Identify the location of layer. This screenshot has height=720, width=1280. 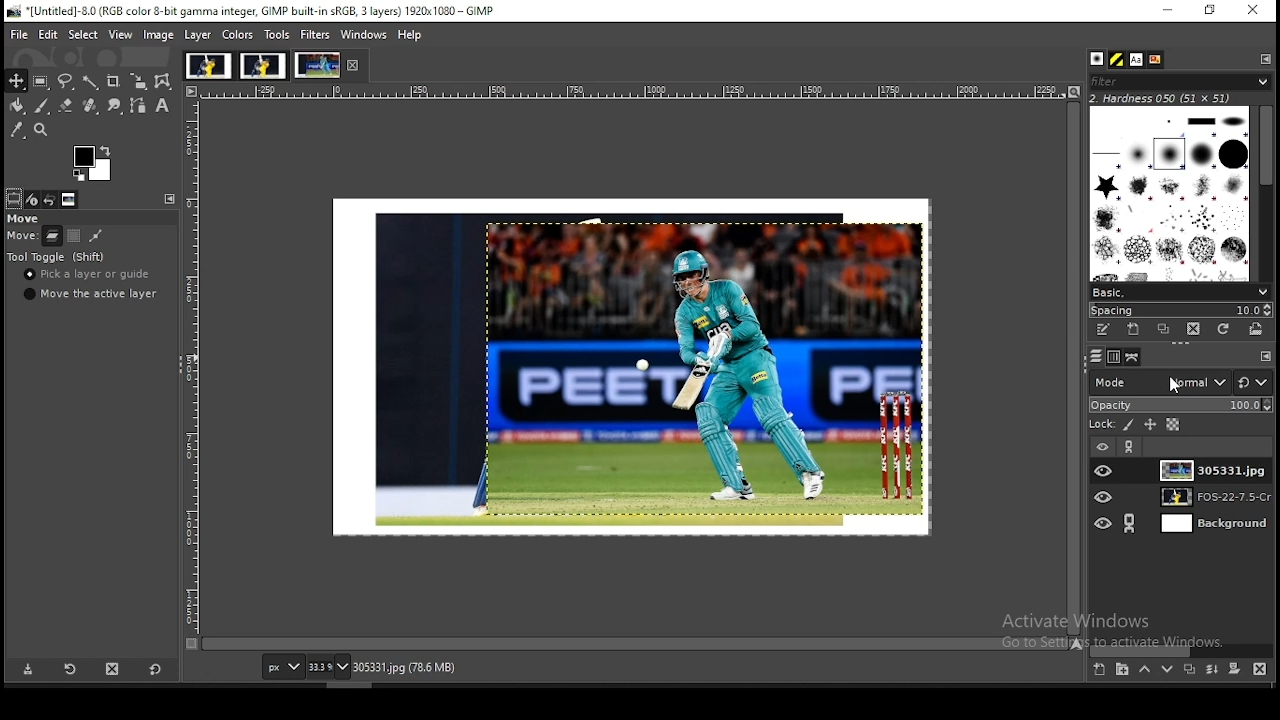
(1208, 497).